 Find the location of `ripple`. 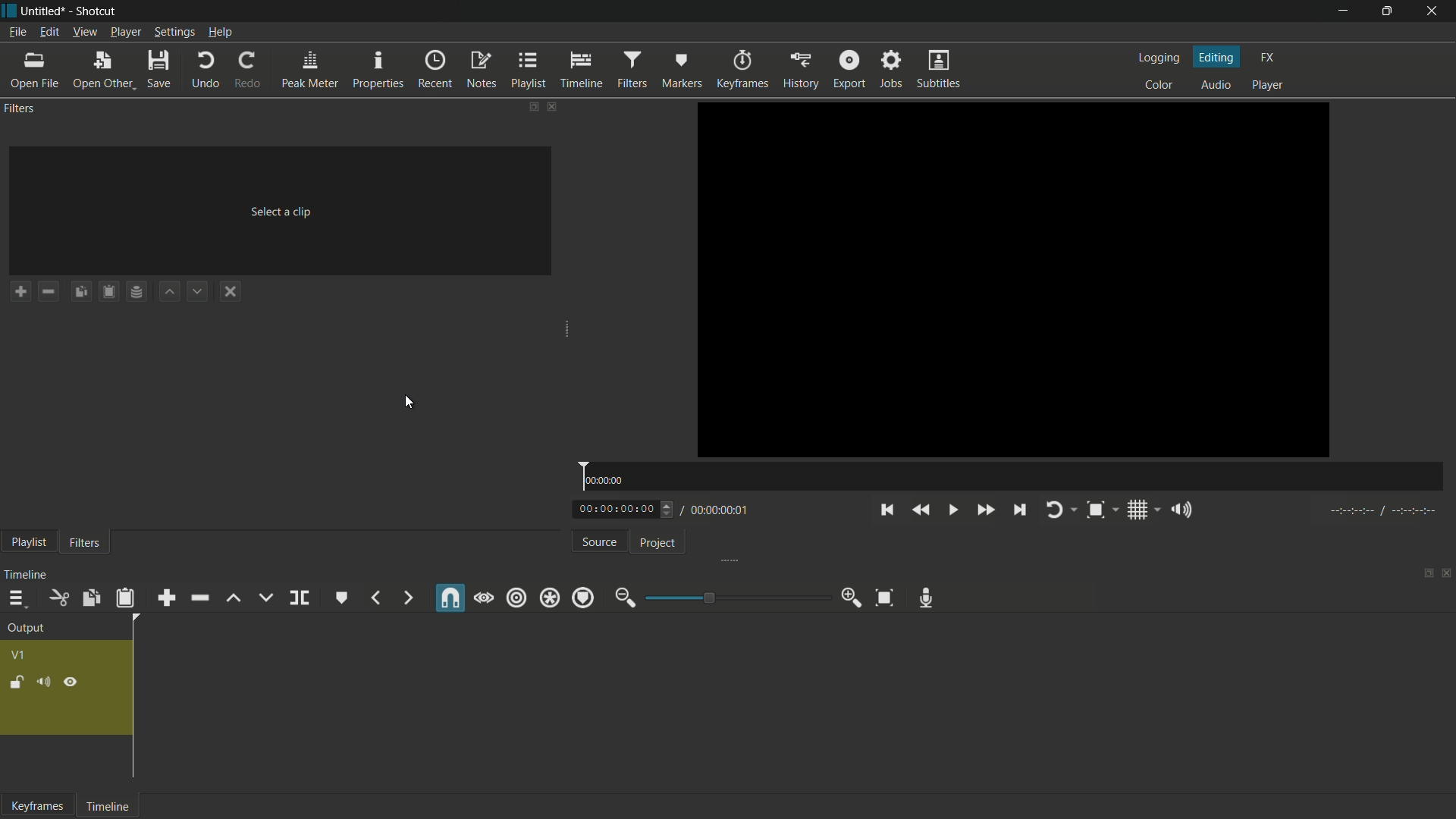

ripple is located at coordinates (516, 597).